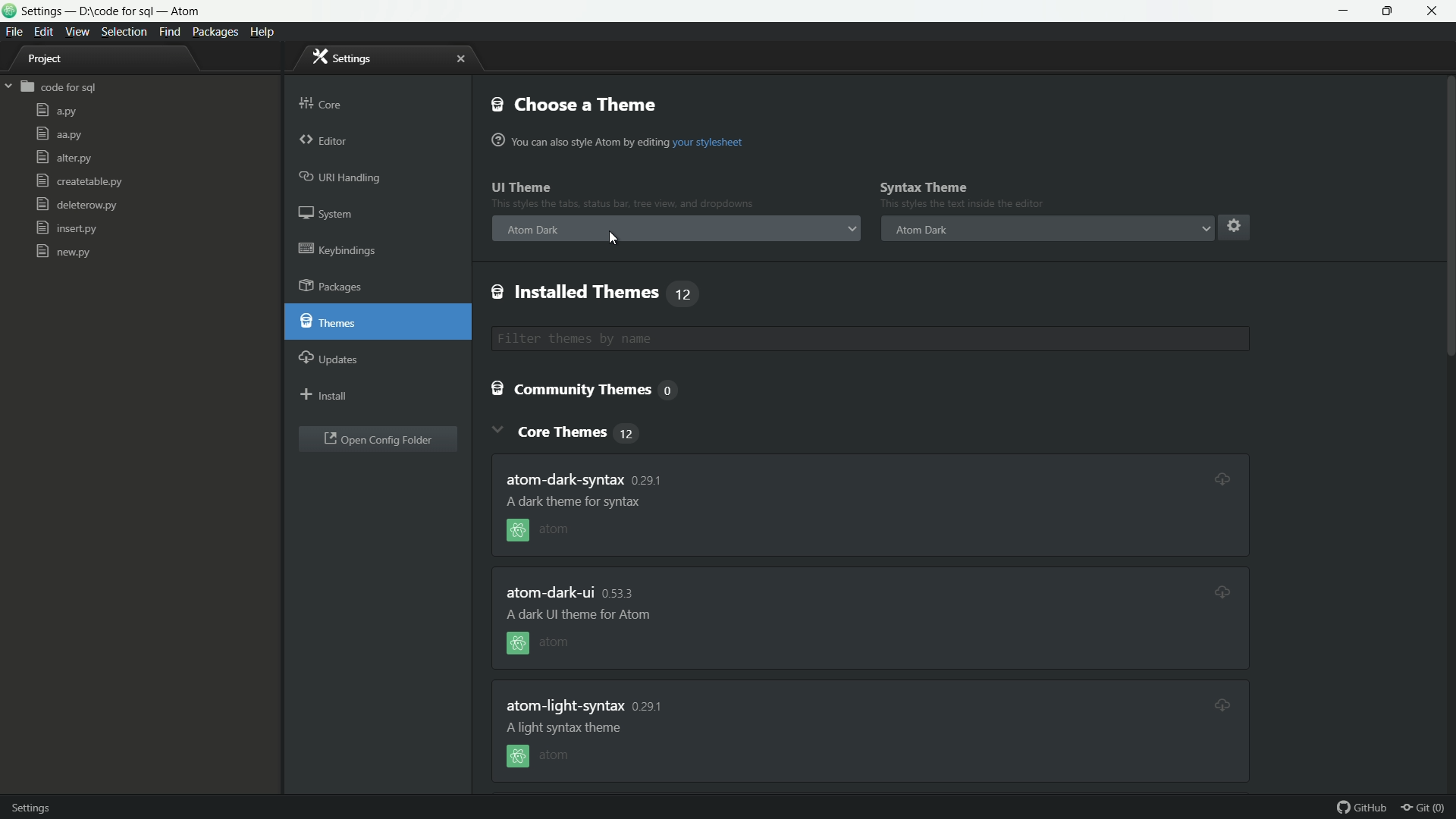 This screenshot has height=819, width=1456. I want to click on scroll bar, so click(1447, 370).